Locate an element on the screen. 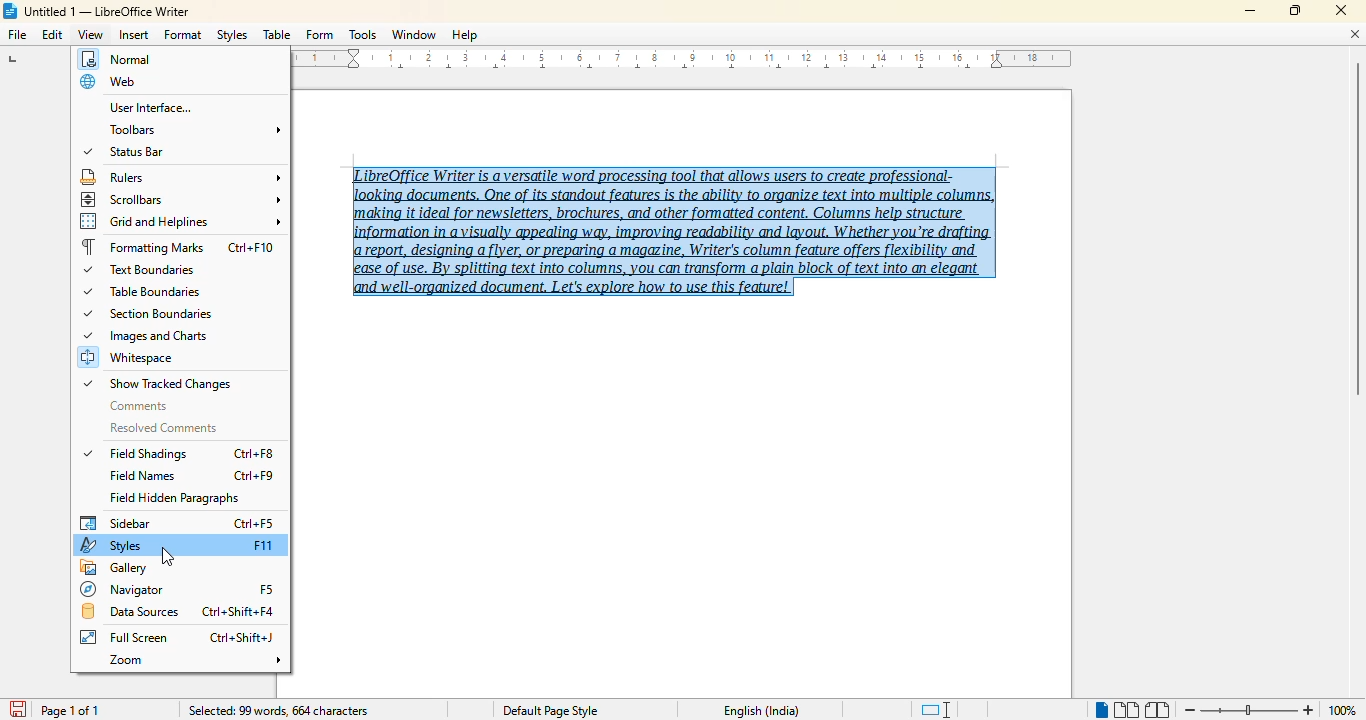 This screenshot has width=1366, height=720. table boundaries is located at coordinates (142, 292).